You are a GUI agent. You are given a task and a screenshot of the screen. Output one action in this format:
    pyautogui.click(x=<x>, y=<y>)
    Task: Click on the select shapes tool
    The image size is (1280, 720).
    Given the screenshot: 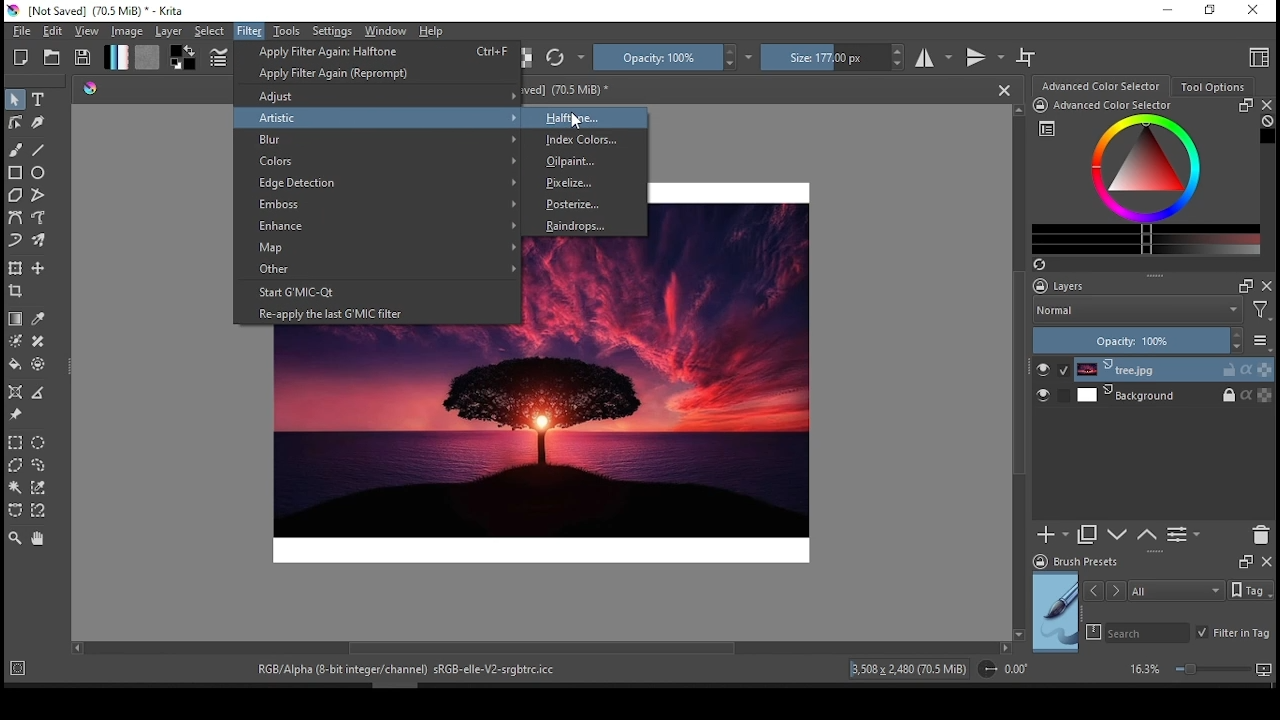 What is the action you would take?
    pyautogui.click(x=15, y=100)
    